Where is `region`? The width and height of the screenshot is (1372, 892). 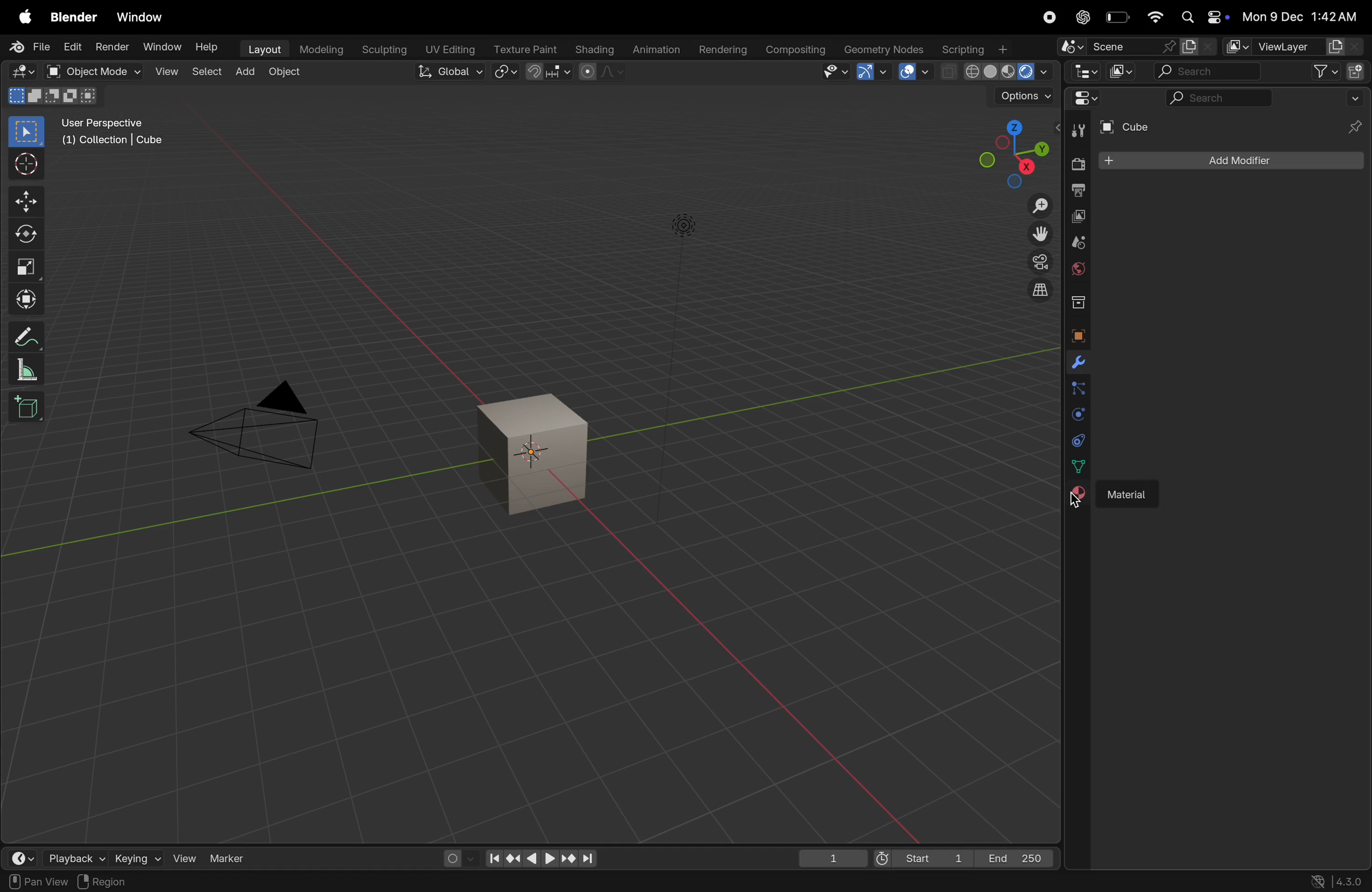
region is located at coordinates (111, 882).